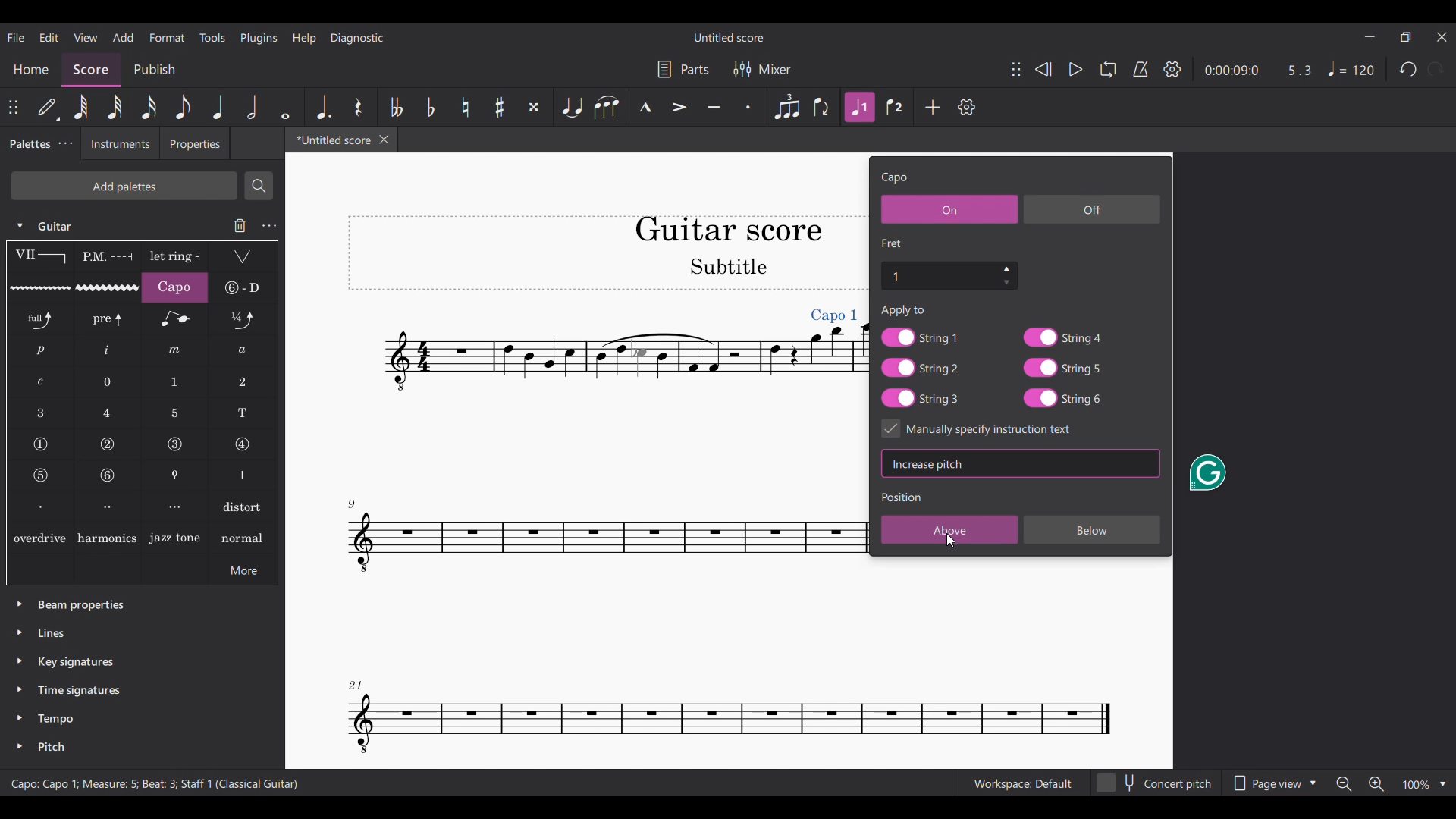  What do you see at coordinates (49, 38) in the screenshot?
I see `Edit menu` at bounding box center [49, 38].